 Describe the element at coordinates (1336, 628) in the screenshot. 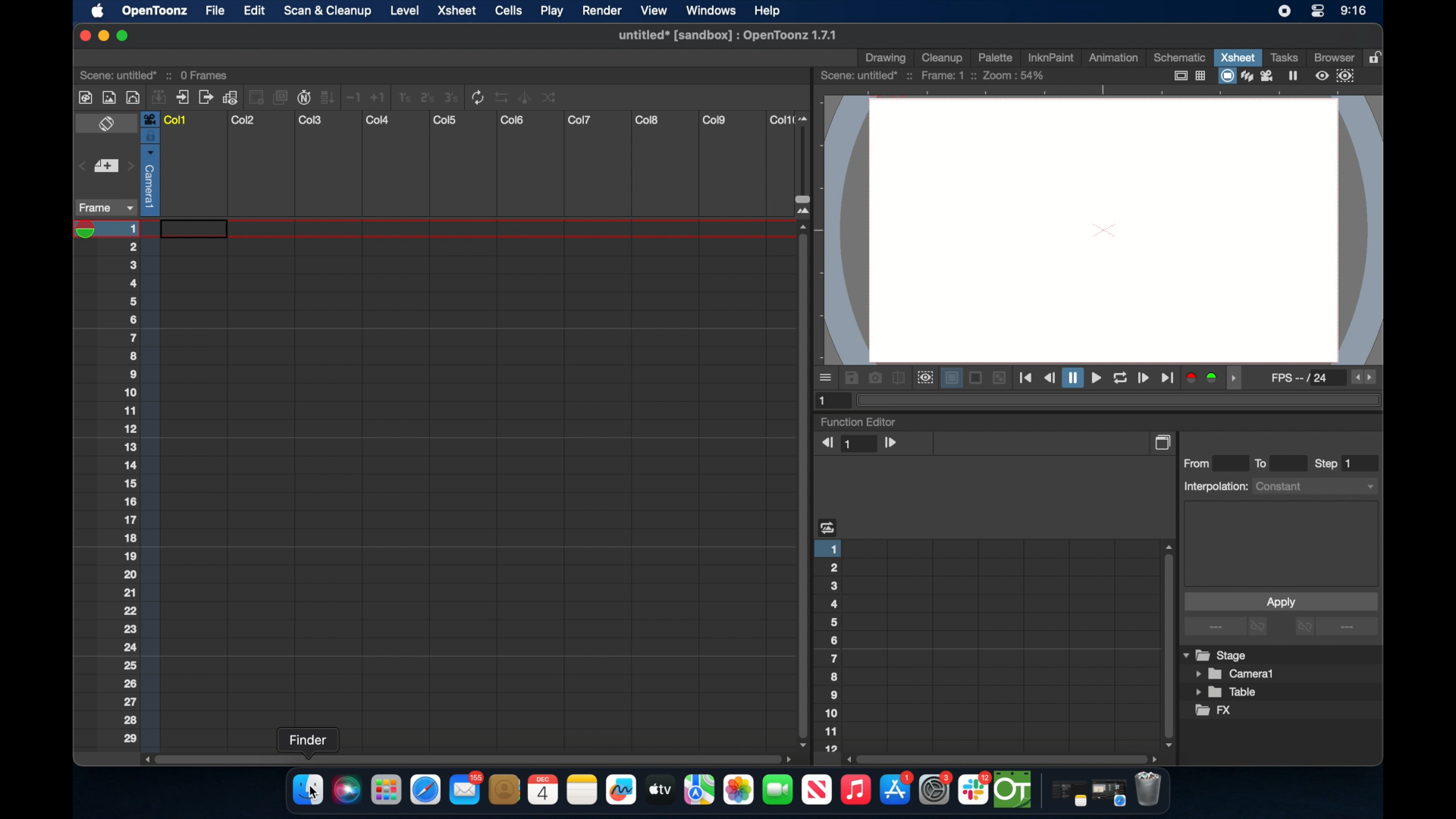

I see `more options` at that location.